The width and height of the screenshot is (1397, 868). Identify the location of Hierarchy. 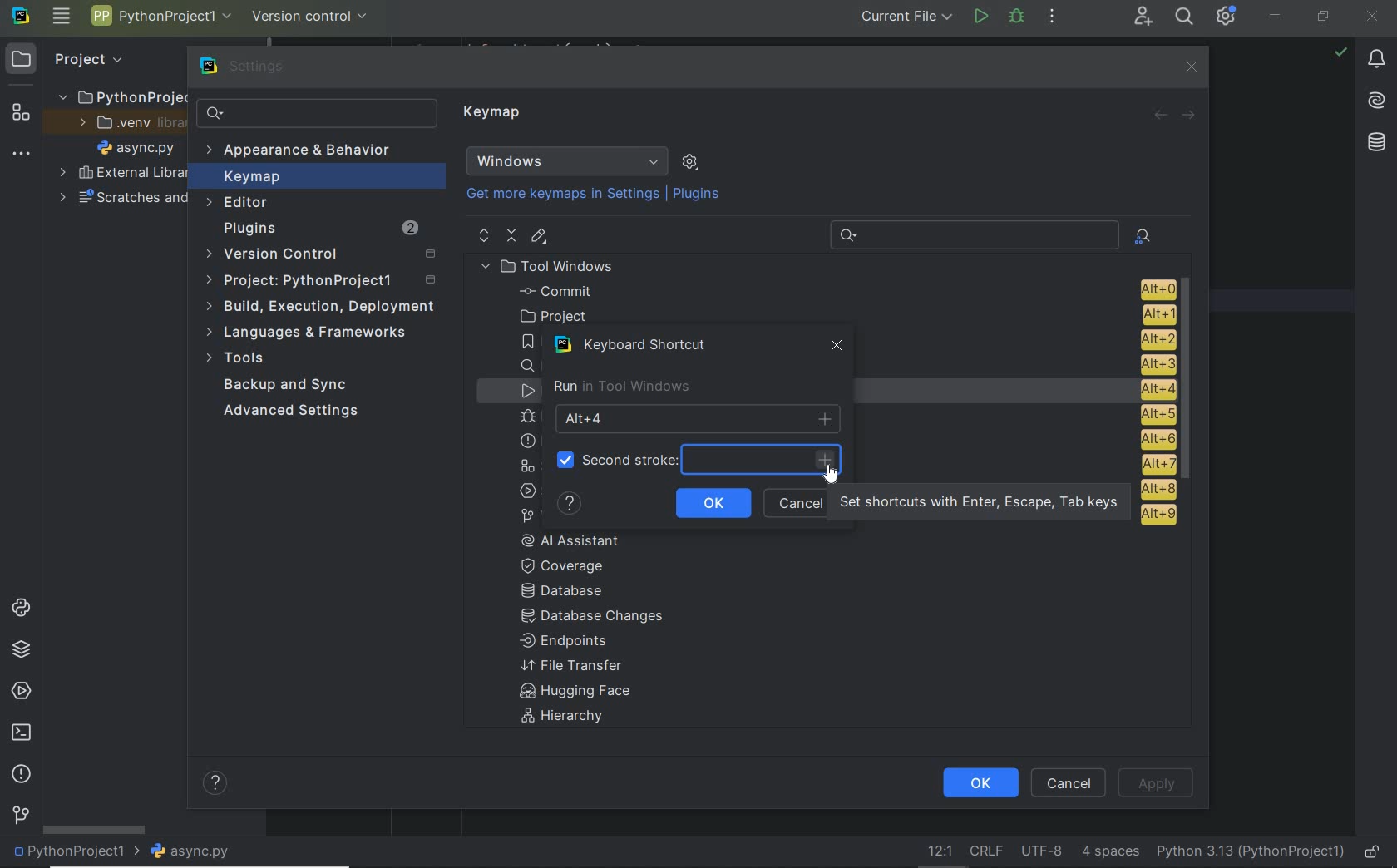
(571, 718).